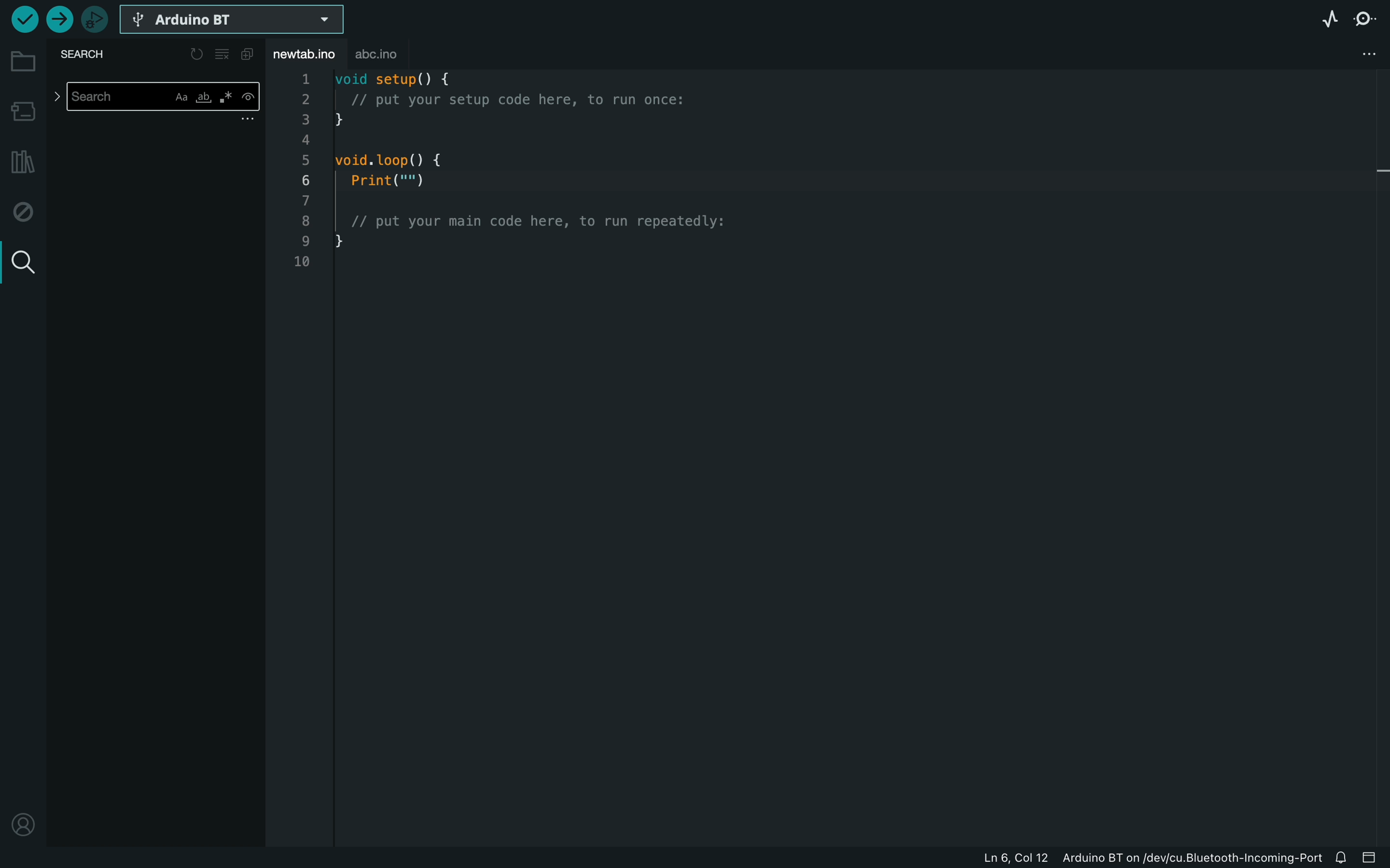  I want to click on library manager, so click(20, 164).